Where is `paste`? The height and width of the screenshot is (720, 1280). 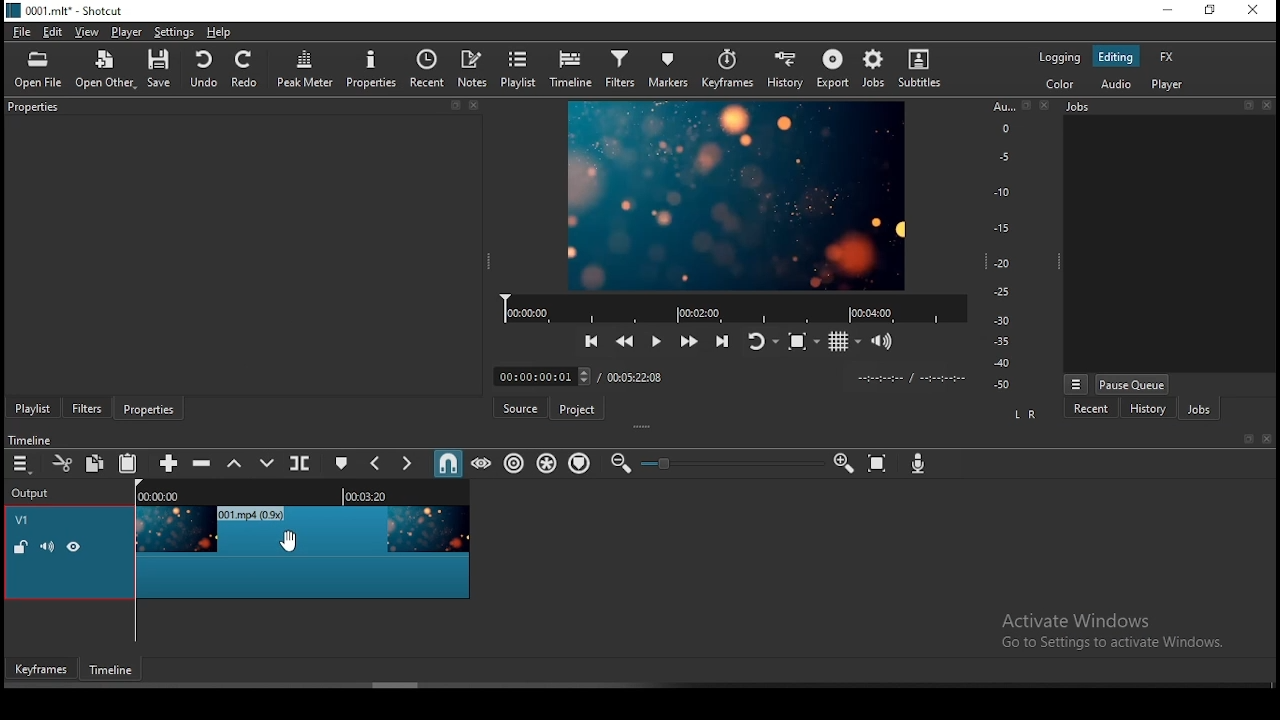
paste is located at coordinates (127, 465).